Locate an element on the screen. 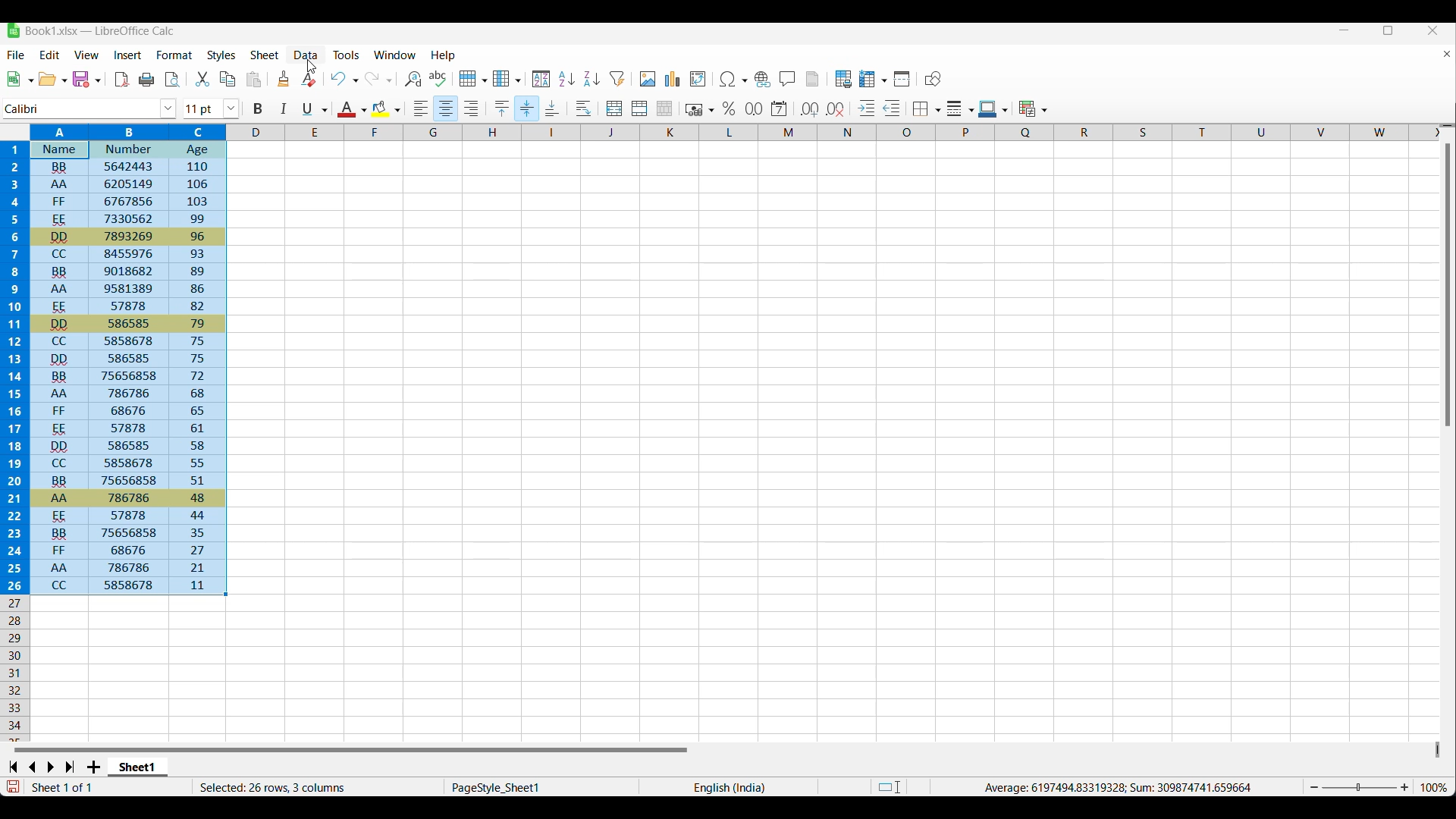 This screenshot has width=1456, height=819. Tools menu is located at coordinates (347, 55).